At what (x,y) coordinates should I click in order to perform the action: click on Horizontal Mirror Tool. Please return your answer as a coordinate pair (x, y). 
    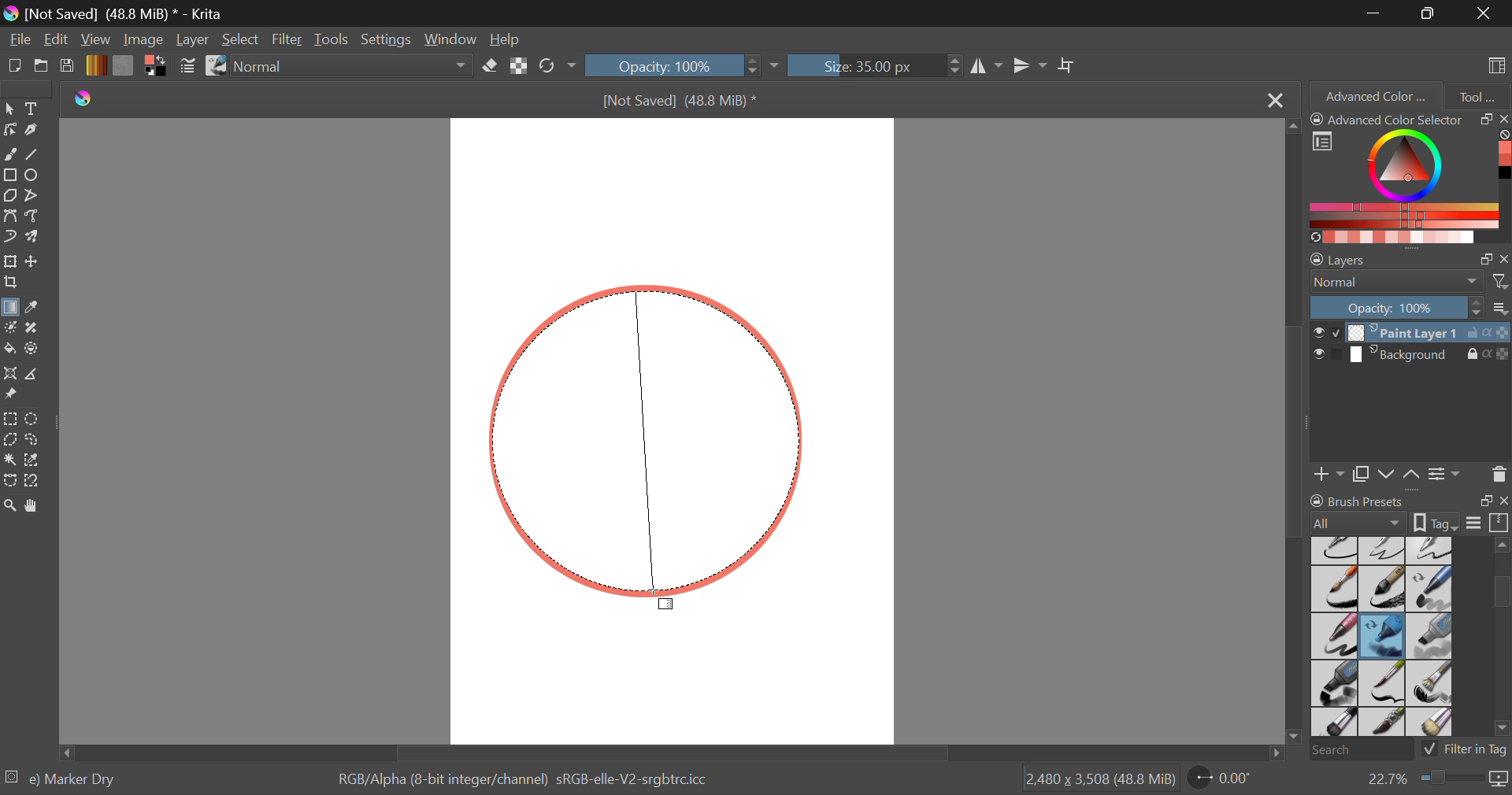
    Looking at the image, I should click on (986, 65).